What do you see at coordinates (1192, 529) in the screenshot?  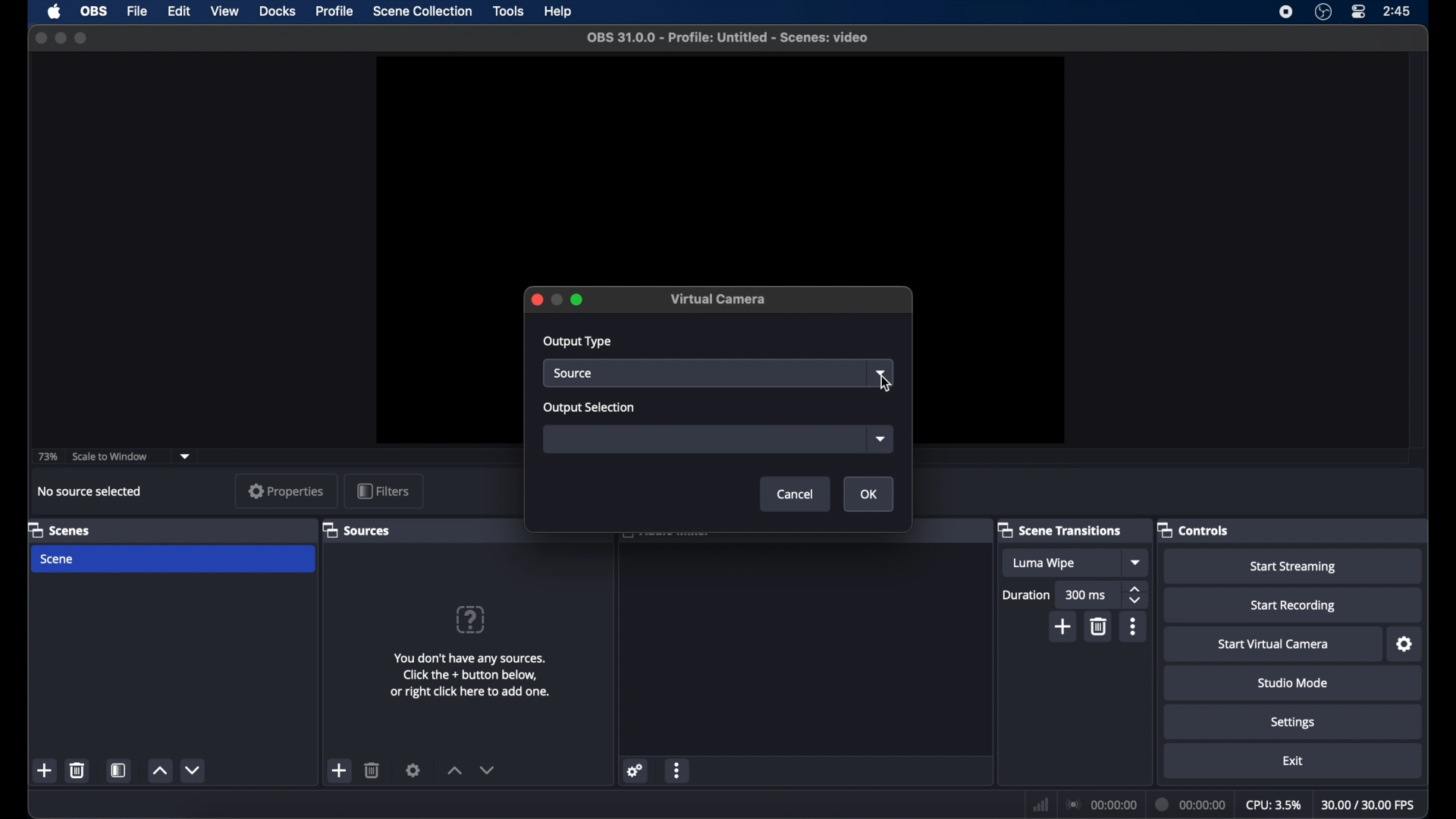 I see `controls` at bounding box center [1192, 529].